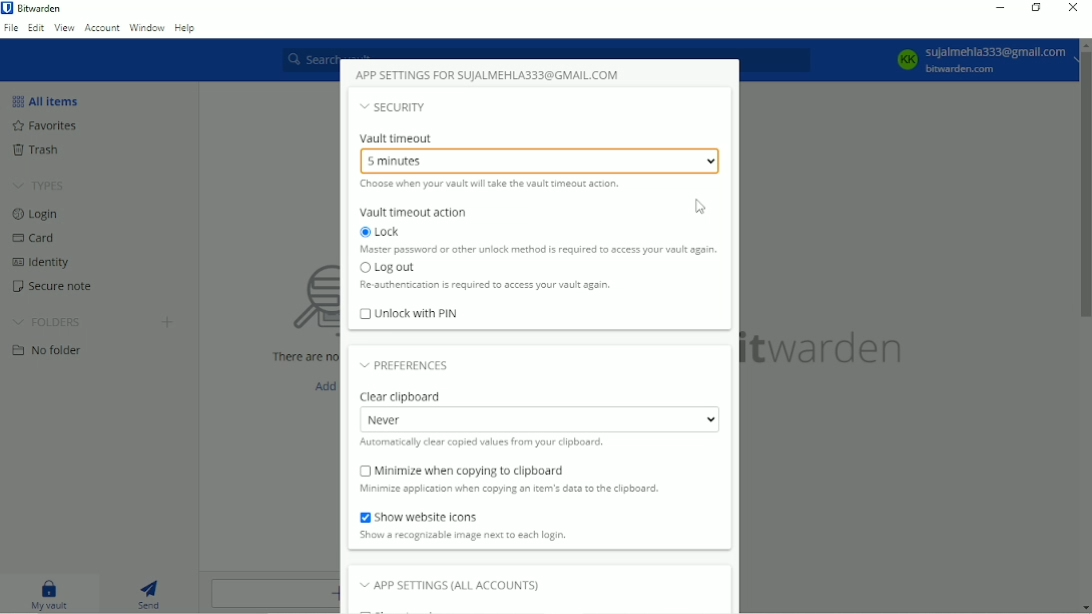  Describe the element at coordinates (484, 443) in the screenshot. I see `Automatically clear clipboard values from your clipboard.` at that location.